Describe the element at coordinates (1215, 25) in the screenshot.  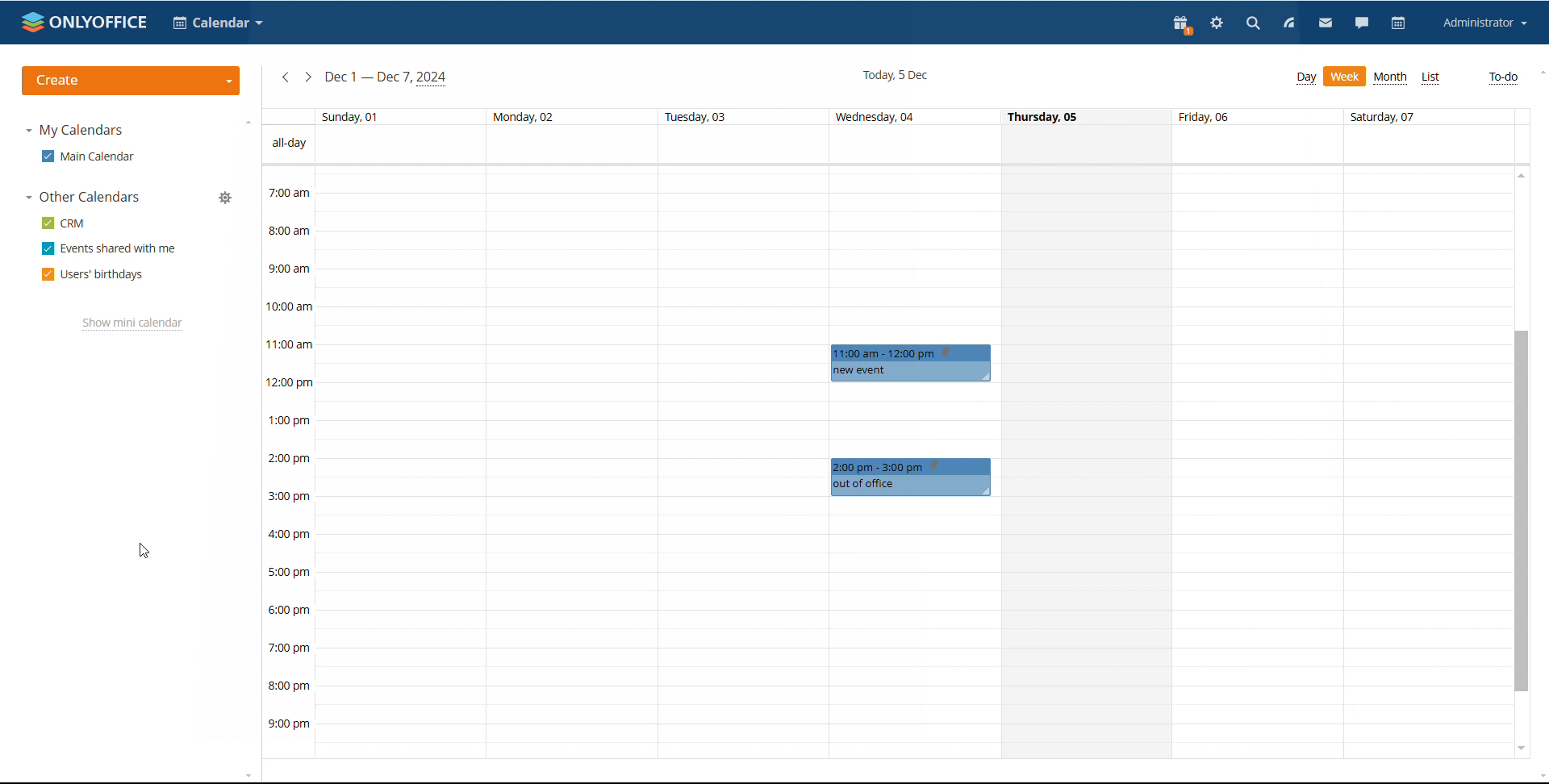
I see `settings` at that location.